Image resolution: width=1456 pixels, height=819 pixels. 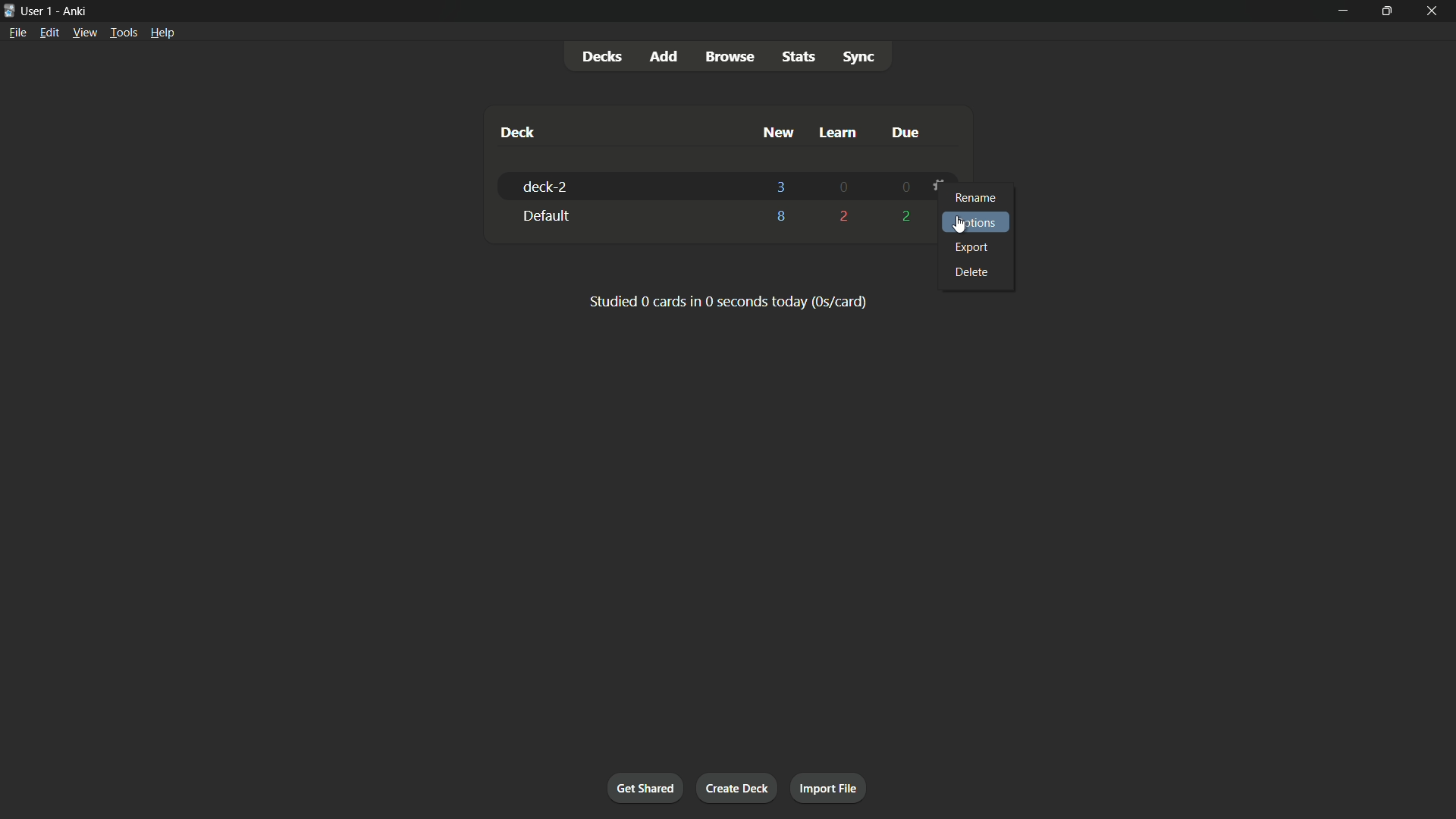 I want to click on 2, so click(x=903, y=216).